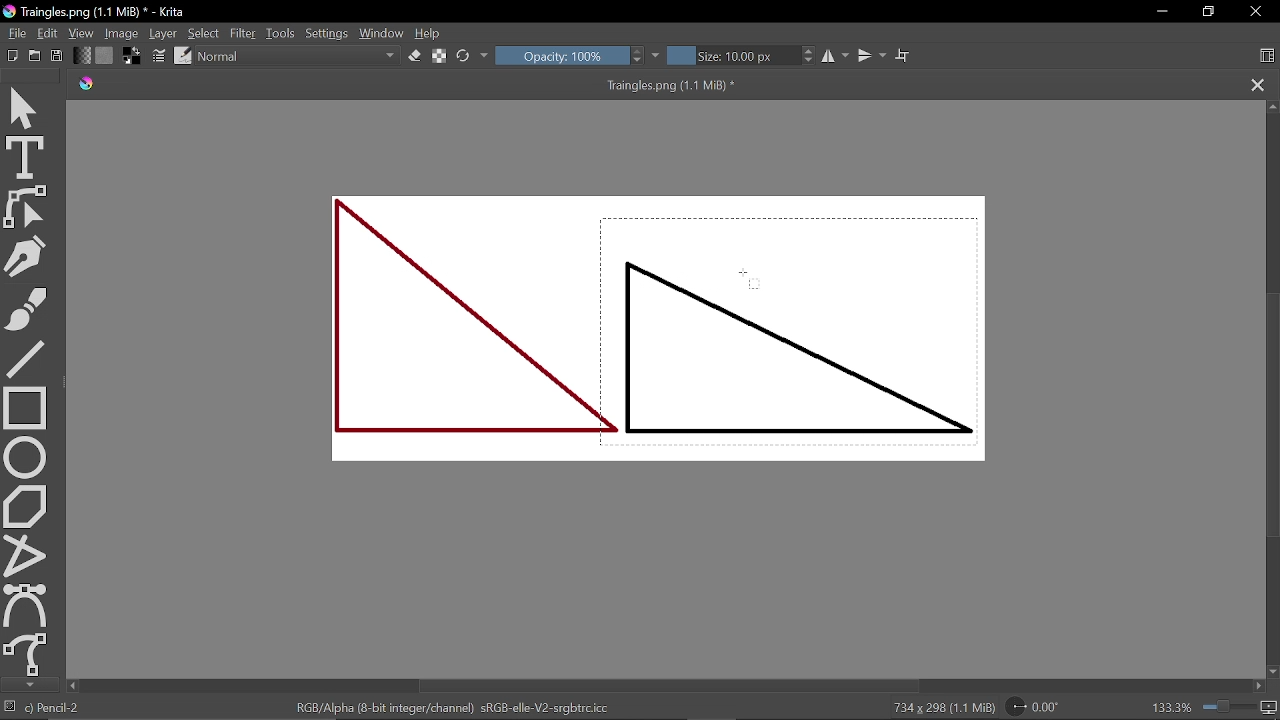  Describe the element at coordinates (25, 408) in the screenshot. I see `rectangle tool` at that location.